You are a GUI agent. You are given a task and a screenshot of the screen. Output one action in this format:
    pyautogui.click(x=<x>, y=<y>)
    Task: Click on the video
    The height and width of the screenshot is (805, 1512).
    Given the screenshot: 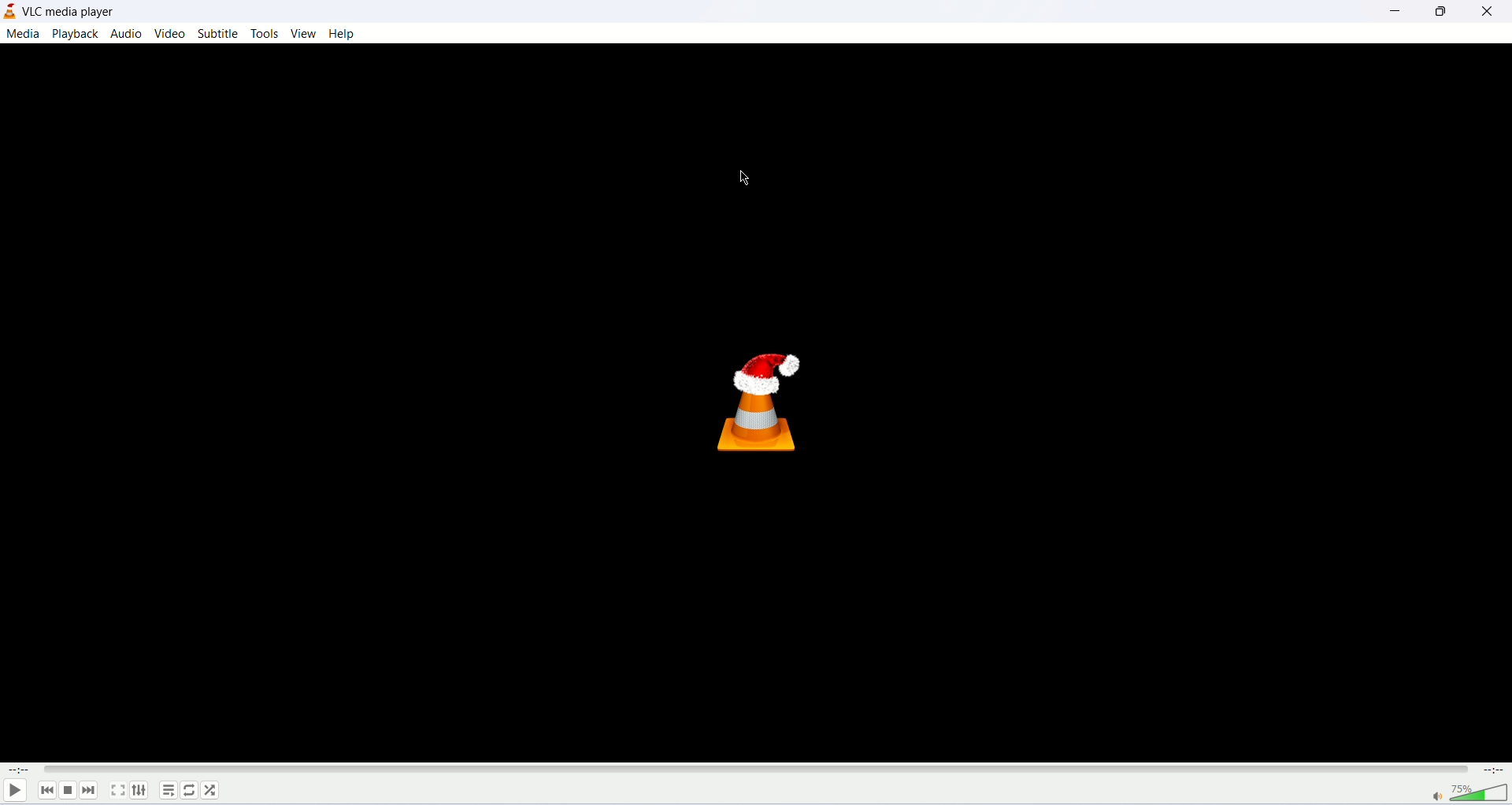 What is the action you would take?
    pyautogui.click(x=169, y=33)
    